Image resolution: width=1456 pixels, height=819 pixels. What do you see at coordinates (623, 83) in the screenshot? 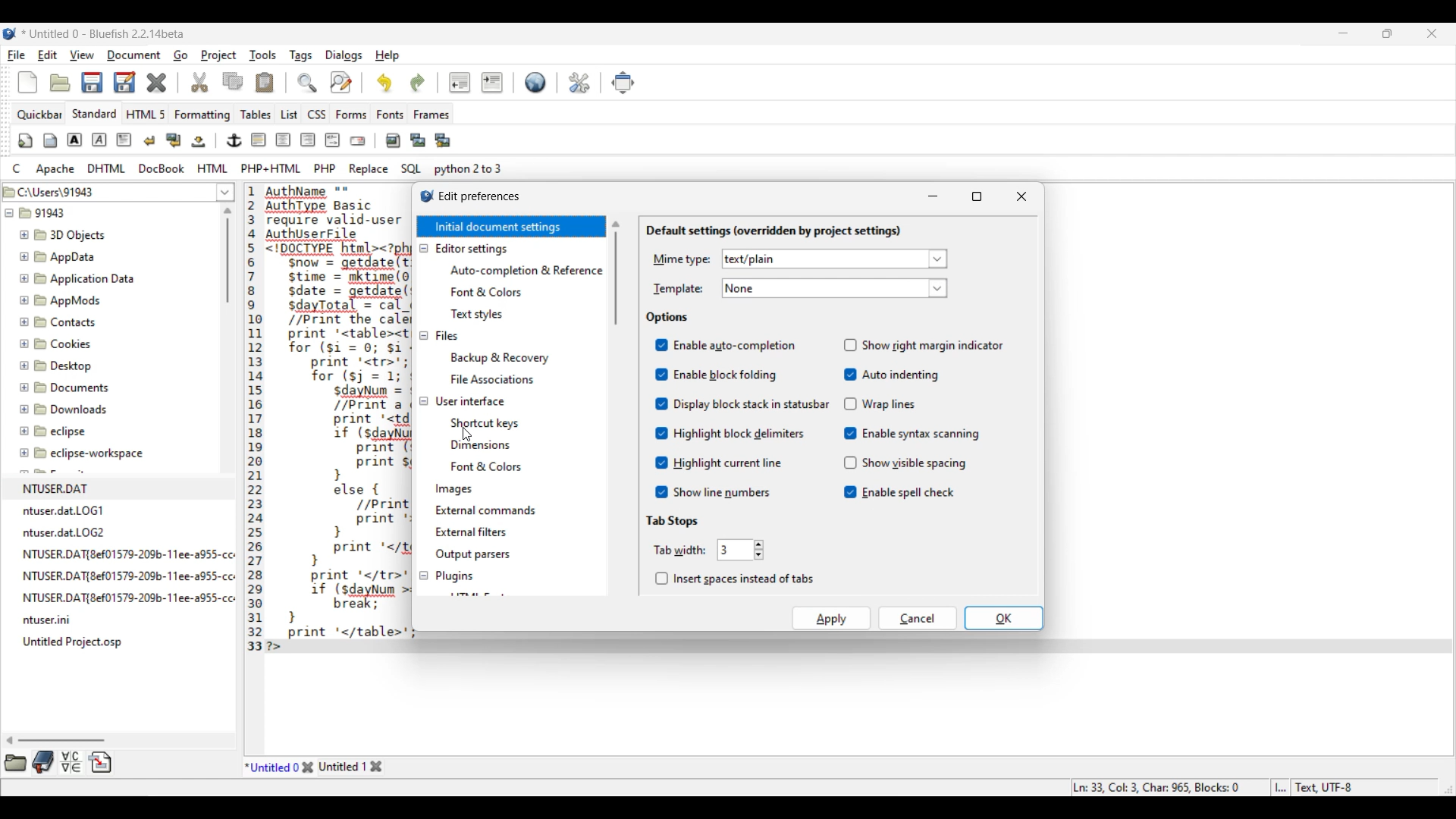
I see `Move` at bounding box center [623, 83].